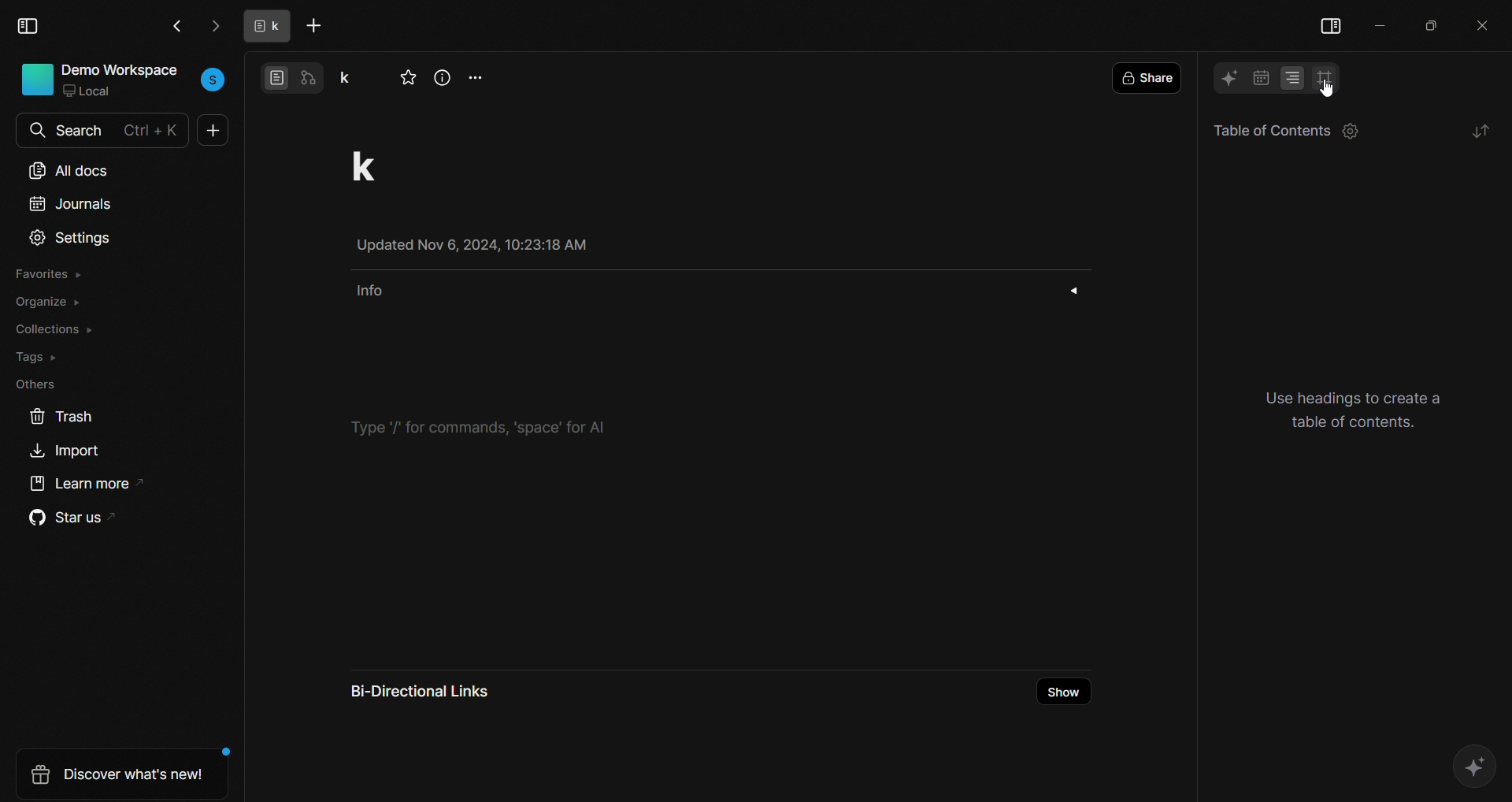  What do you see at coordinates (276, 76) in the screenshot?
I see `page view` at bounding box center [276, 76].